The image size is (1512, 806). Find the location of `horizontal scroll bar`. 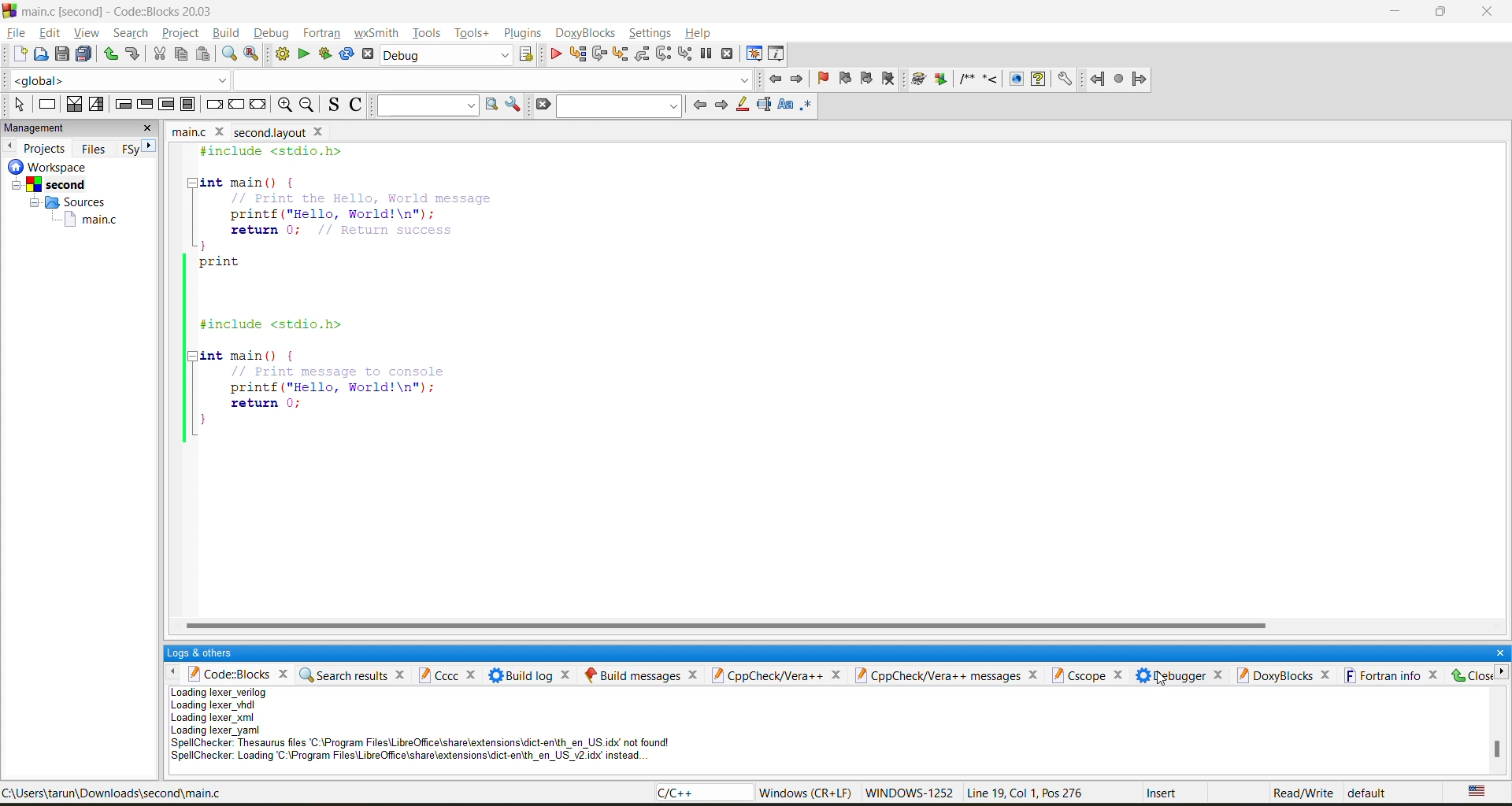

horizontal scroll bar is located at coordinates (724, 626).